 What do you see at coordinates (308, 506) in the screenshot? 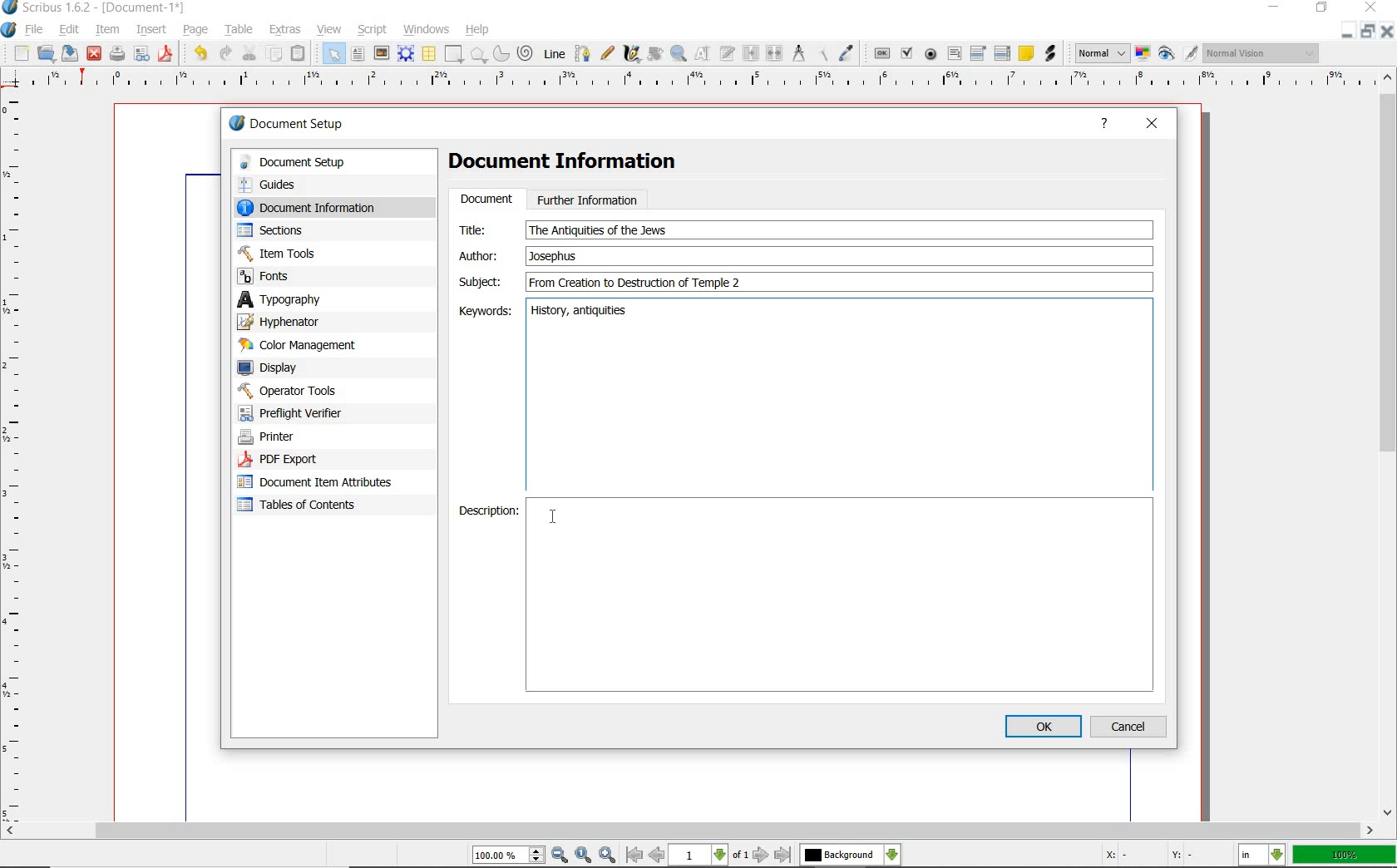
I see `tables of contents` at bounding box center [308, 506].